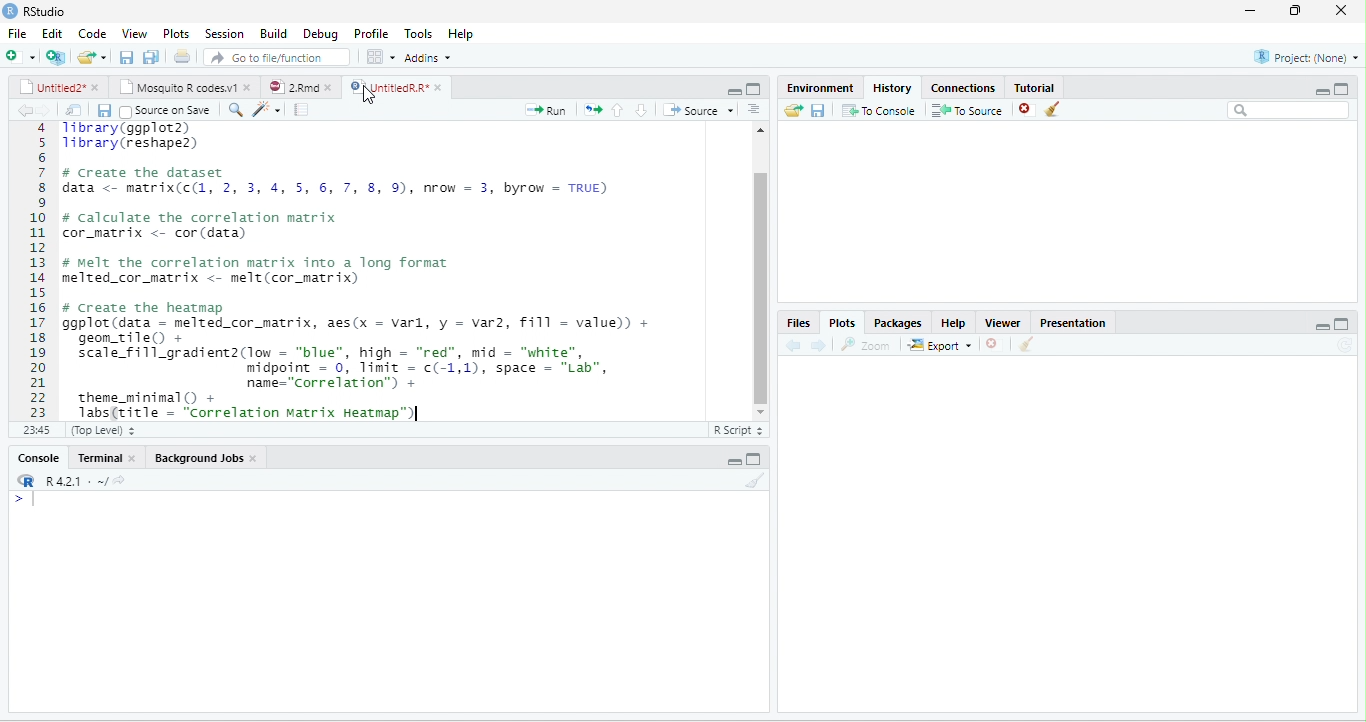 This screenshot has height=722, width=1366. I want to click on end file, so click(92, 59).